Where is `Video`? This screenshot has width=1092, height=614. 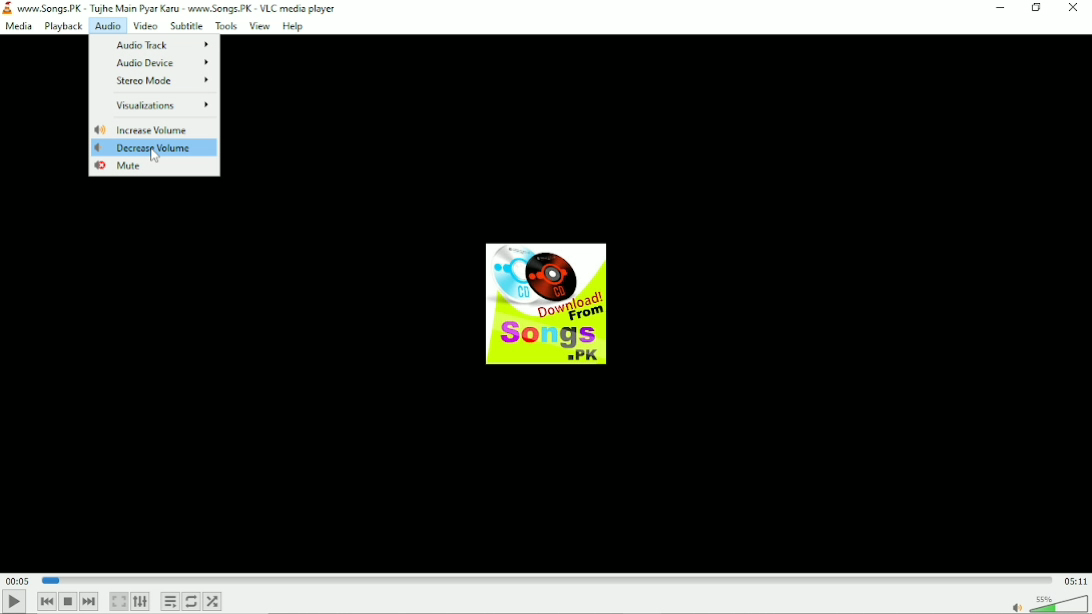
Video is located at coordinates (144, 26).